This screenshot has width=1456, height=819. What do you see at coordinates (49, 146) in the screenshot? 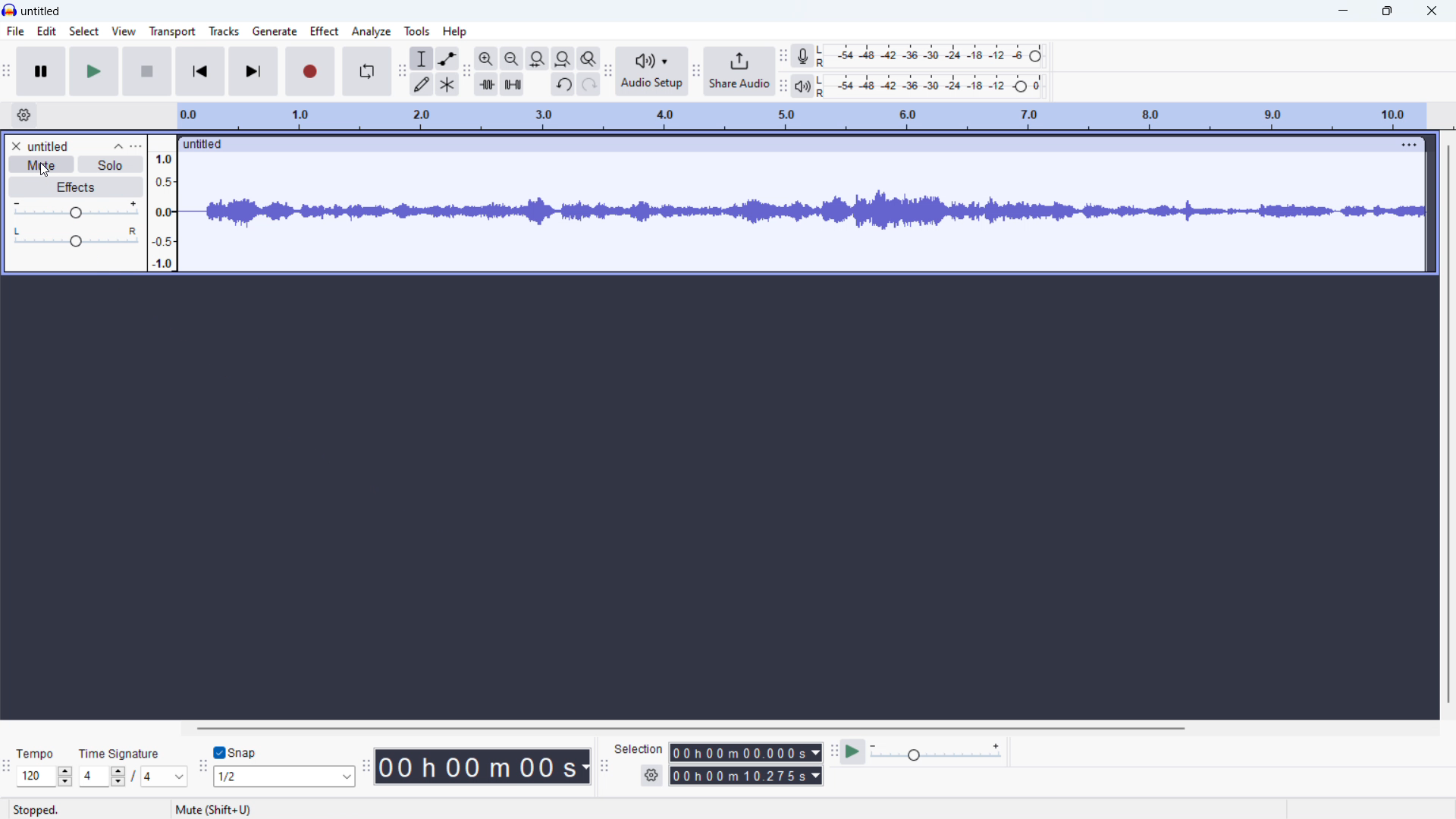
I see `track title` at bounding box center [49, 146].